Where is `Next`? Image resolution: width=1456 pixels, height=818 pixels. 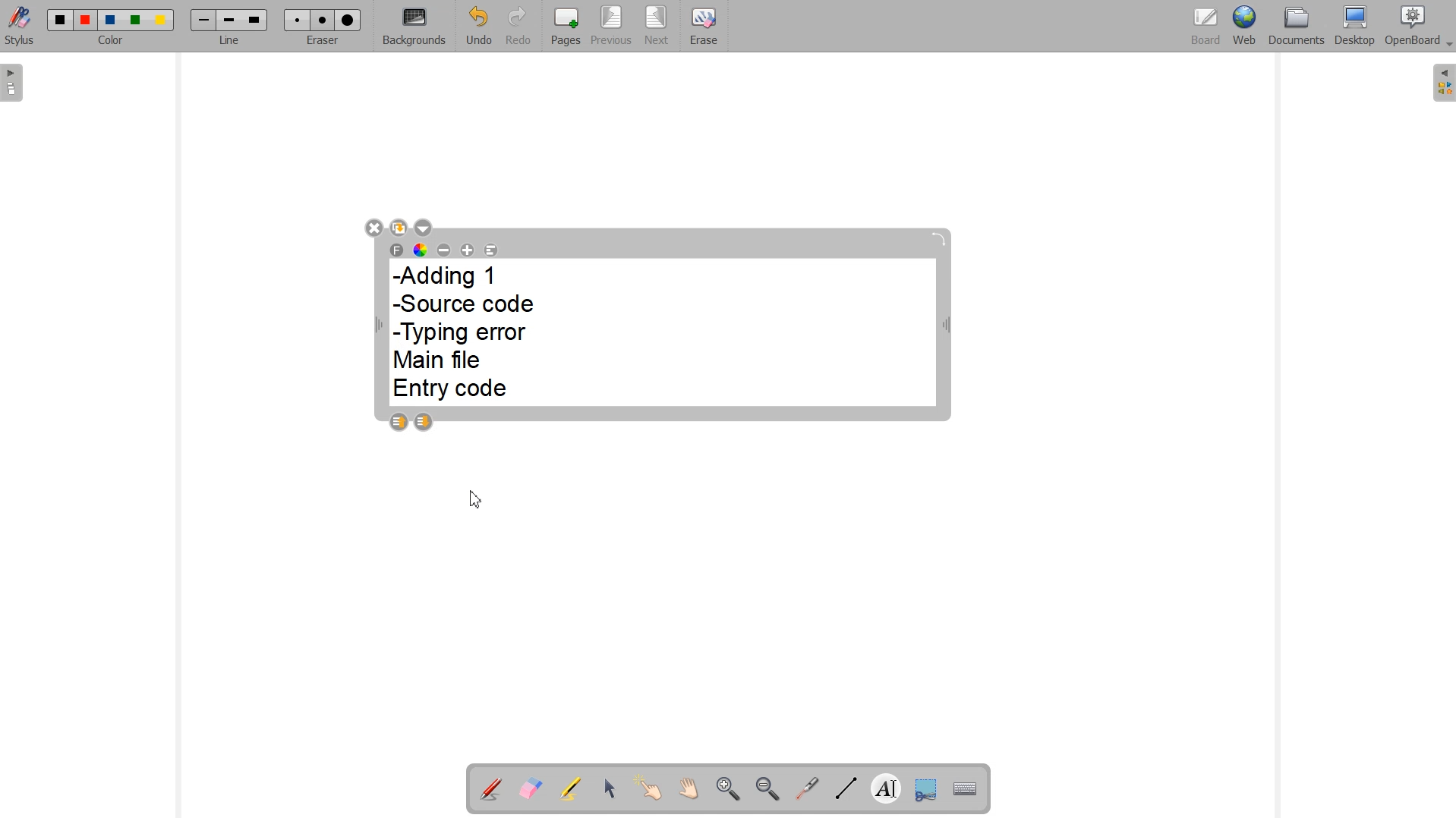 Next is located at coordinates (656, 25).